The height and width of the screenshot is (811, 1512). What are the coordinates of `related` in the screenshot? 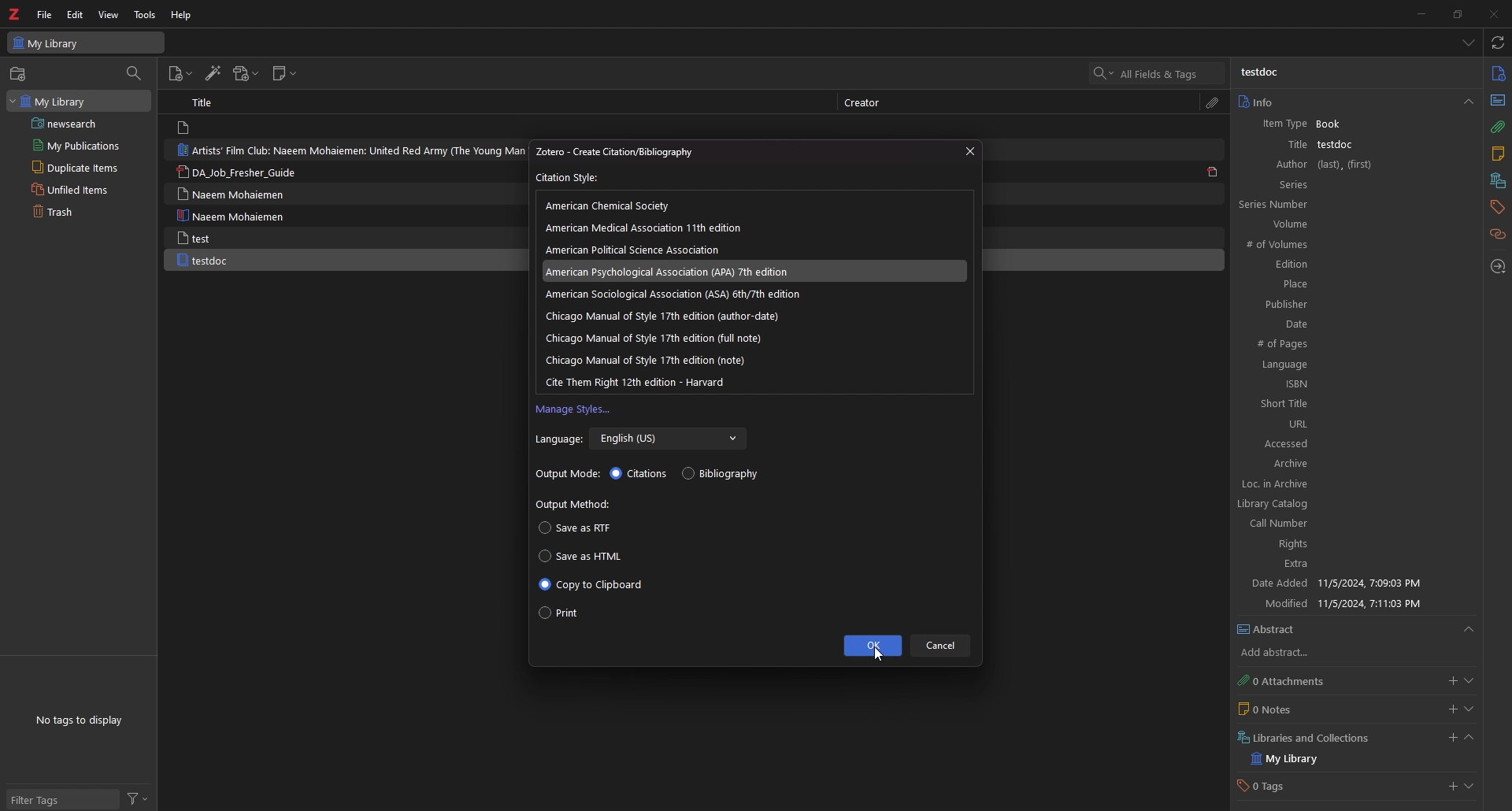 It's located at (1499, 235).